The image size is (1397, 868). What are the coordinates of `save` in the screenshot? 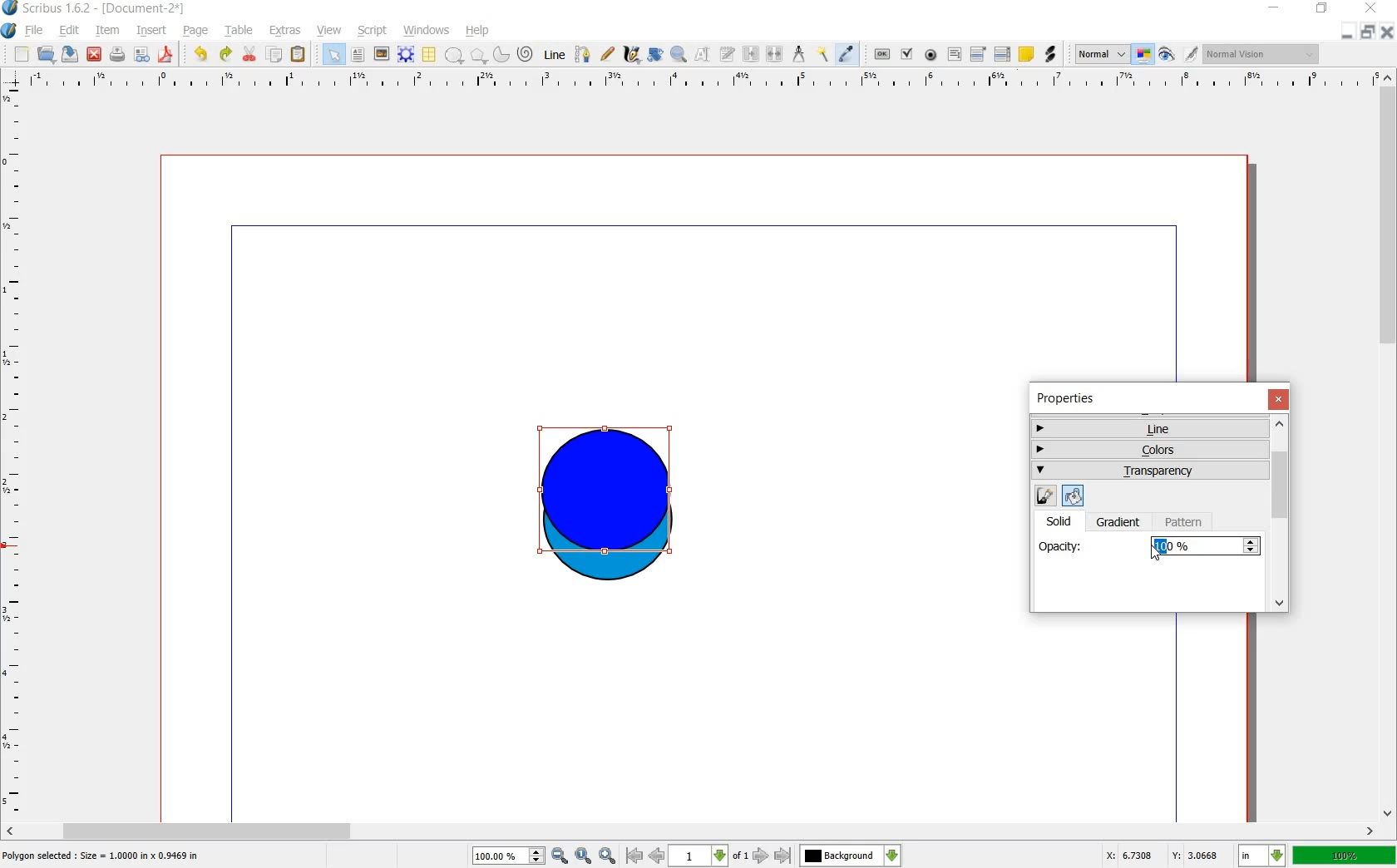 It's located at (70, 54).